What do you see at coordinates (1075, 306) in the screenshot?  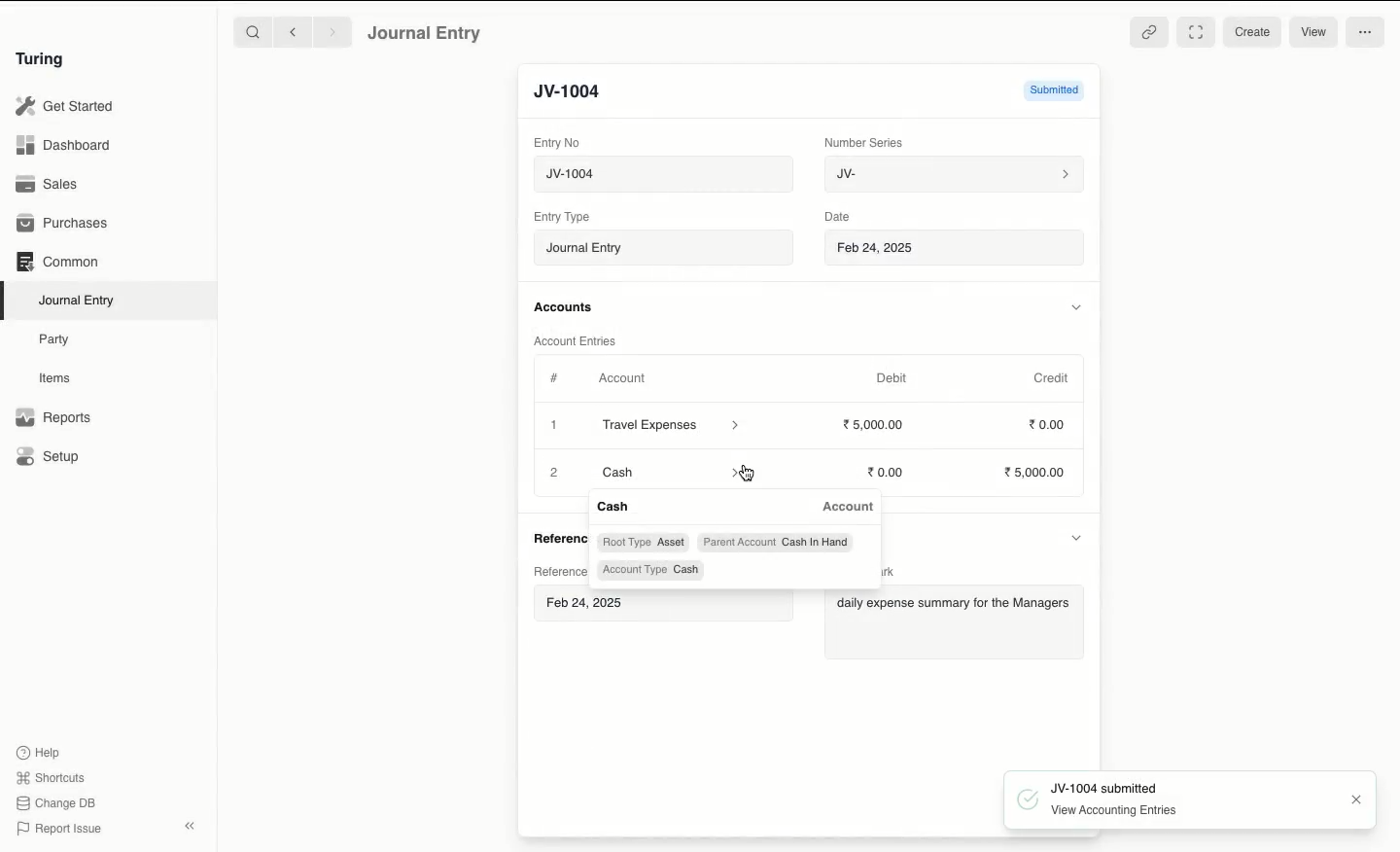 I see `Hide` at bounding box center [1075, 306].